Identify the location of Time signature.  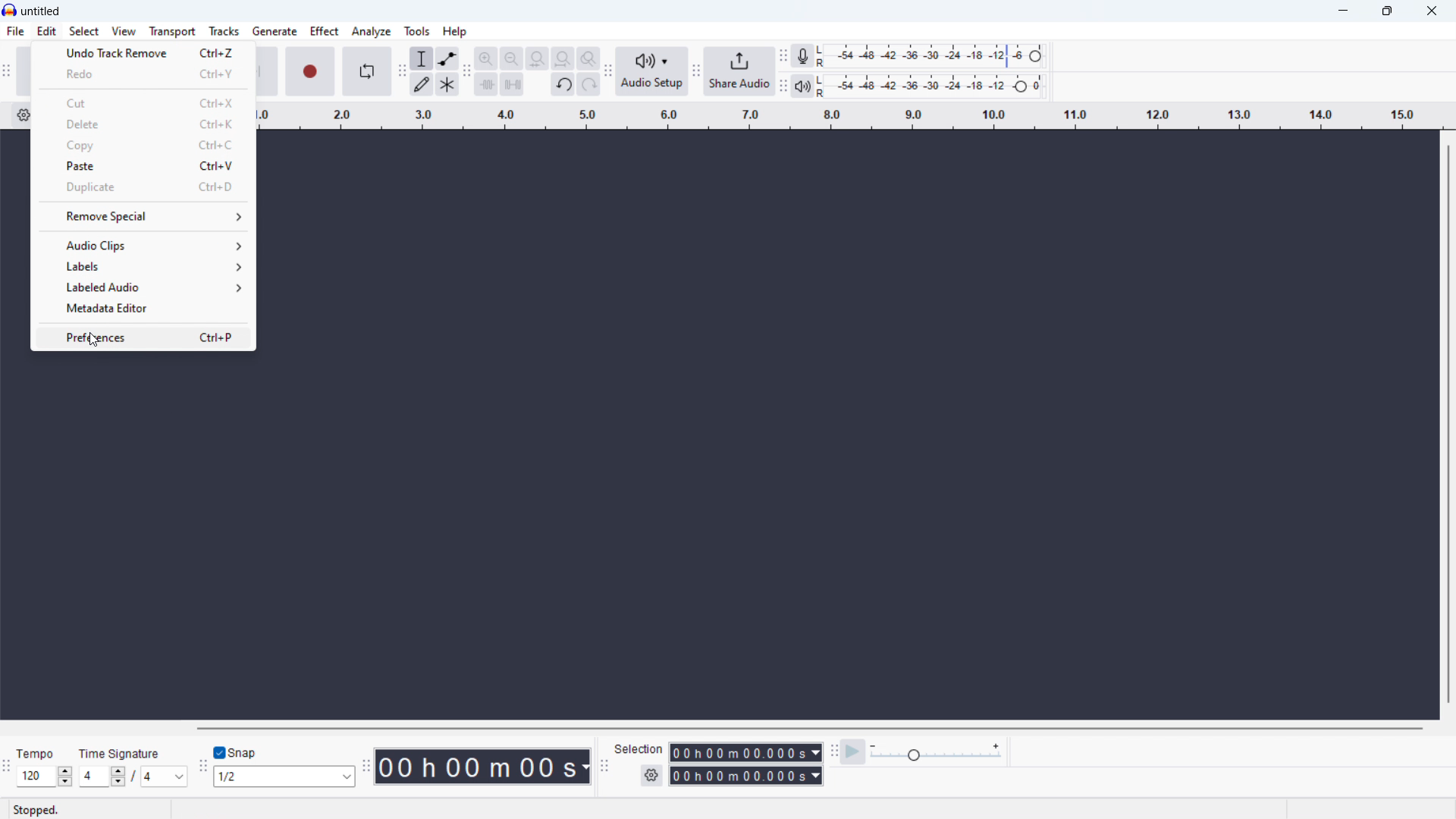
(123, 752).